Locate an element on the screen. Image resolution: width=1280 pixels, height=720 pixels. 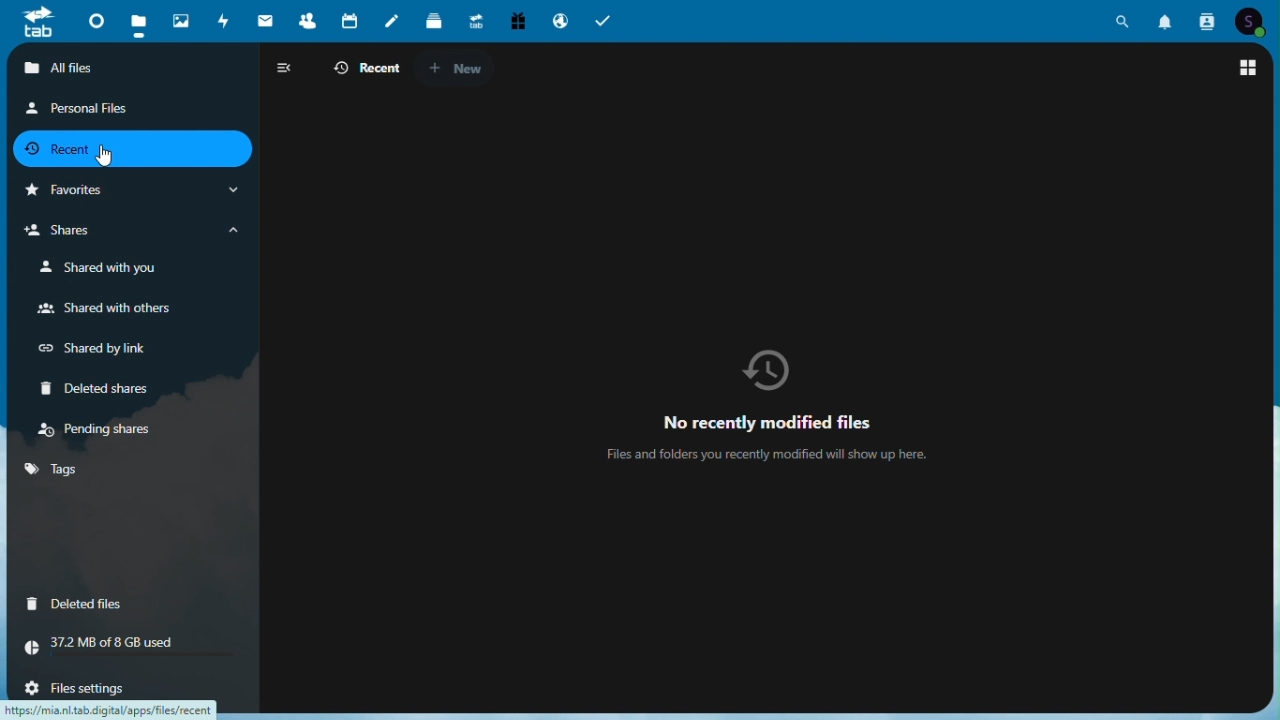
 is located at coordinates (454, 68).